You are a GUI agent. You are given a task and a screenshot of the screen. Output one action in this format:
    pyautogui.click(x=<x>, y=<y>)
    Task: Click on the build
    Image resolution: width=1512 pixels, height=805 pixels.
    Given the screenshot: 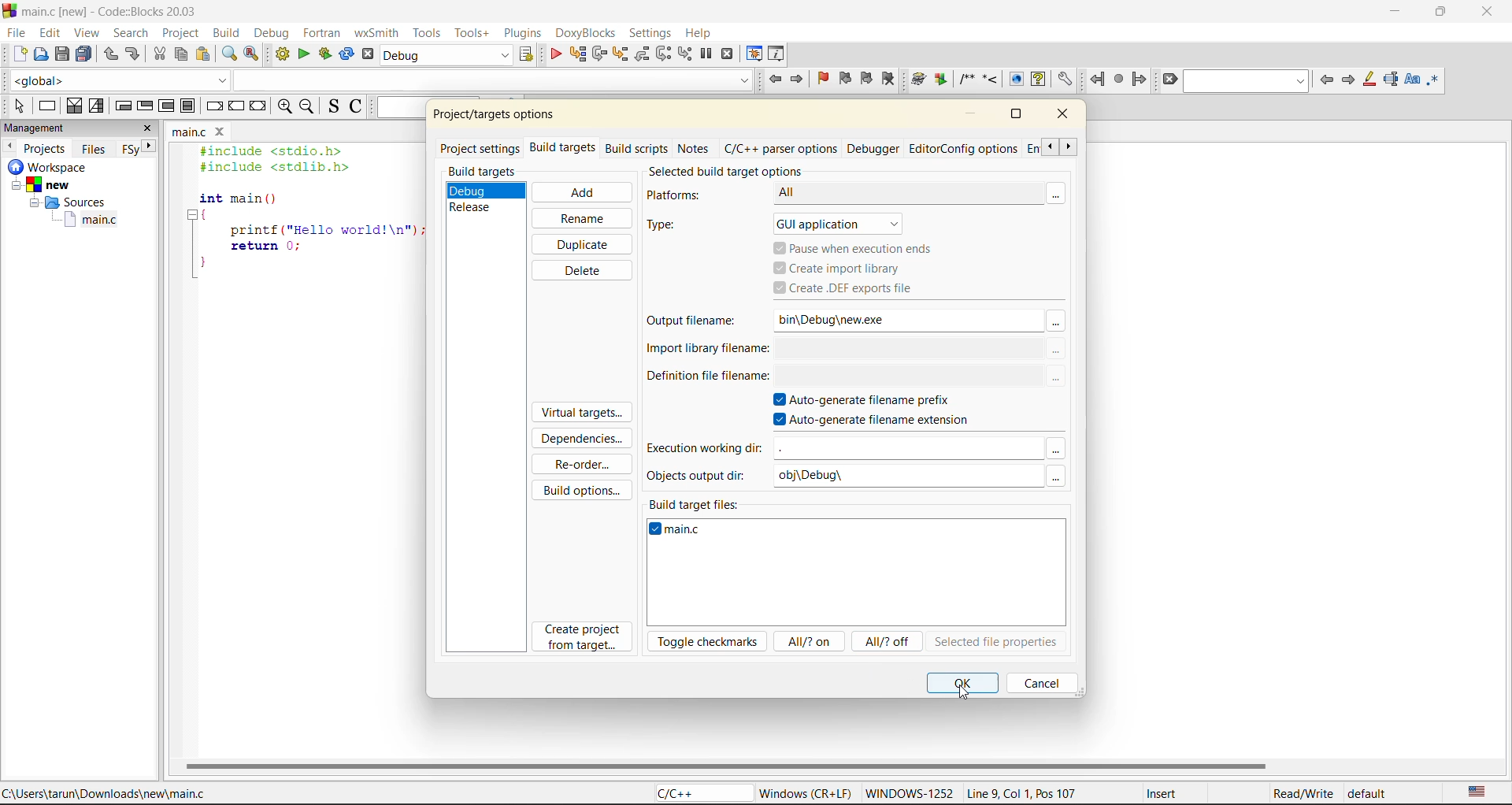 What is the action you would take?
    pyautogui.click(x=282, y=54)
    